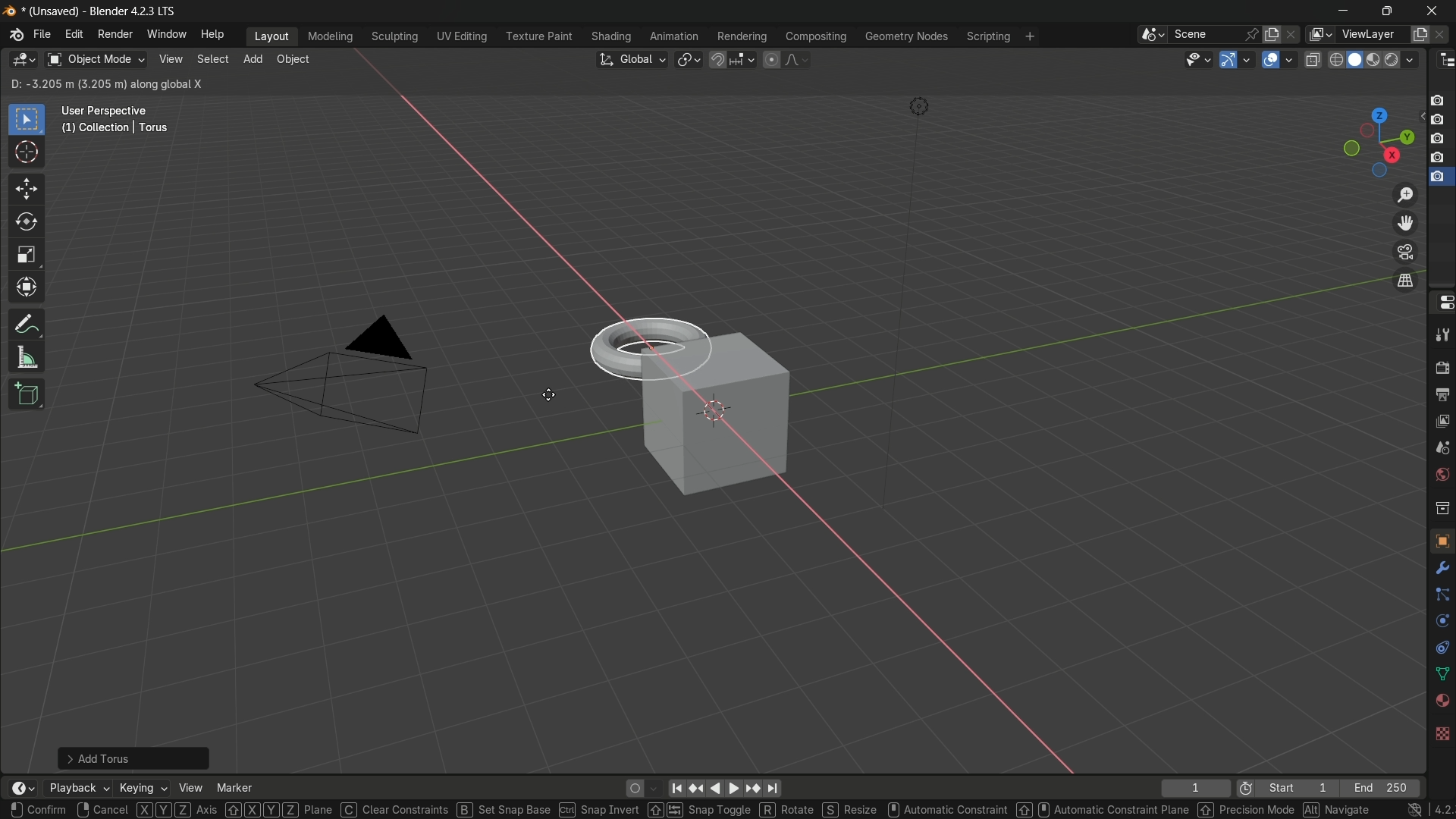 The width and height of the screenshot is (1456, 819). Describe the element at coordinates (789, 809) in the screenshot. I see `Rotate` at that location.